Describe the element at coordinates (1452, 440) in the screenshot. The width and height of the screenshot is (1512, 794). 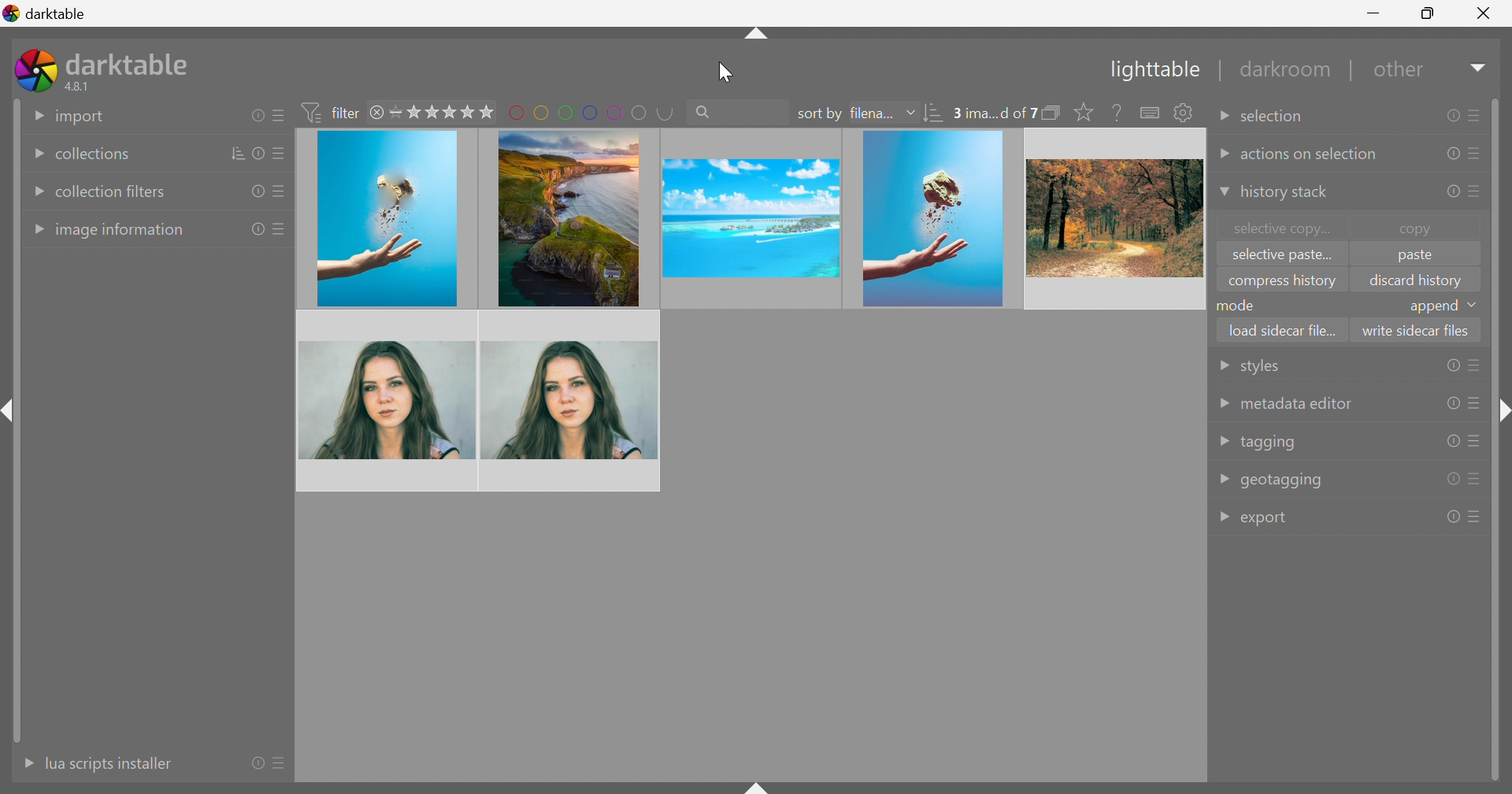
I see `reset` at that location.